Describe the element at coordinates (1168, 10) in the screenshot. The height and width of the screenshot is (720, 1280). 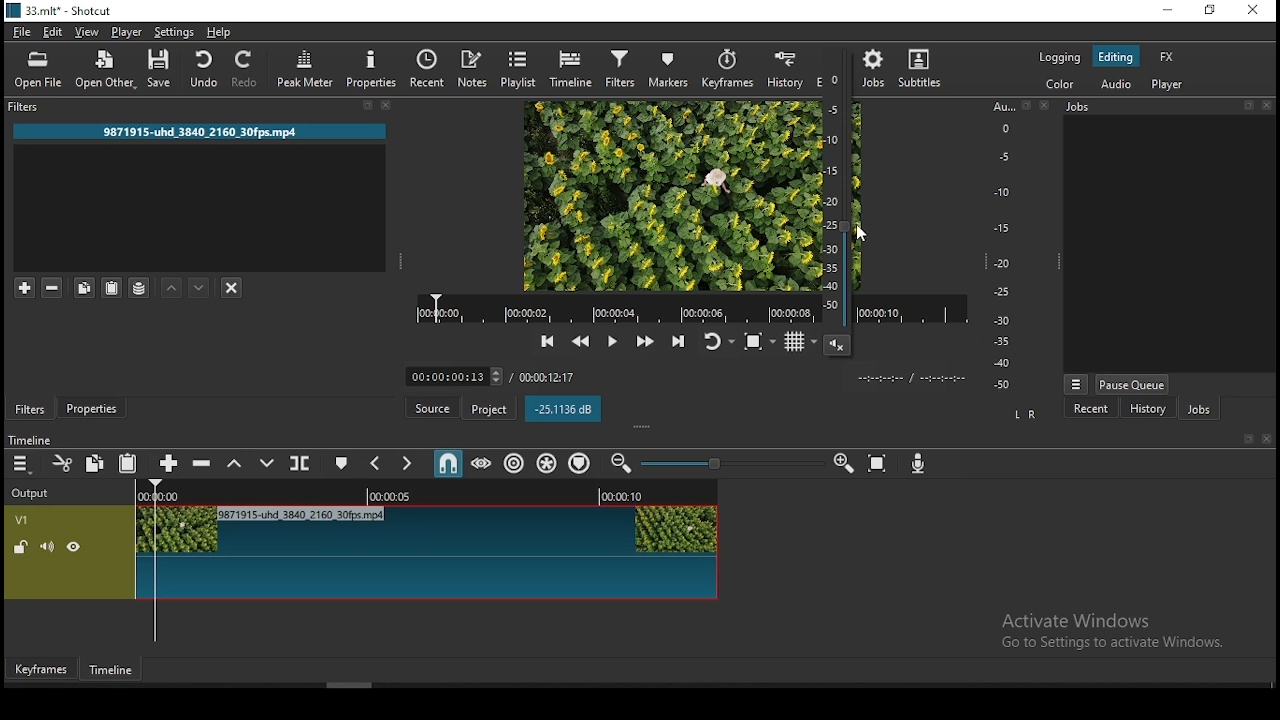
I see `minimize` at that location.